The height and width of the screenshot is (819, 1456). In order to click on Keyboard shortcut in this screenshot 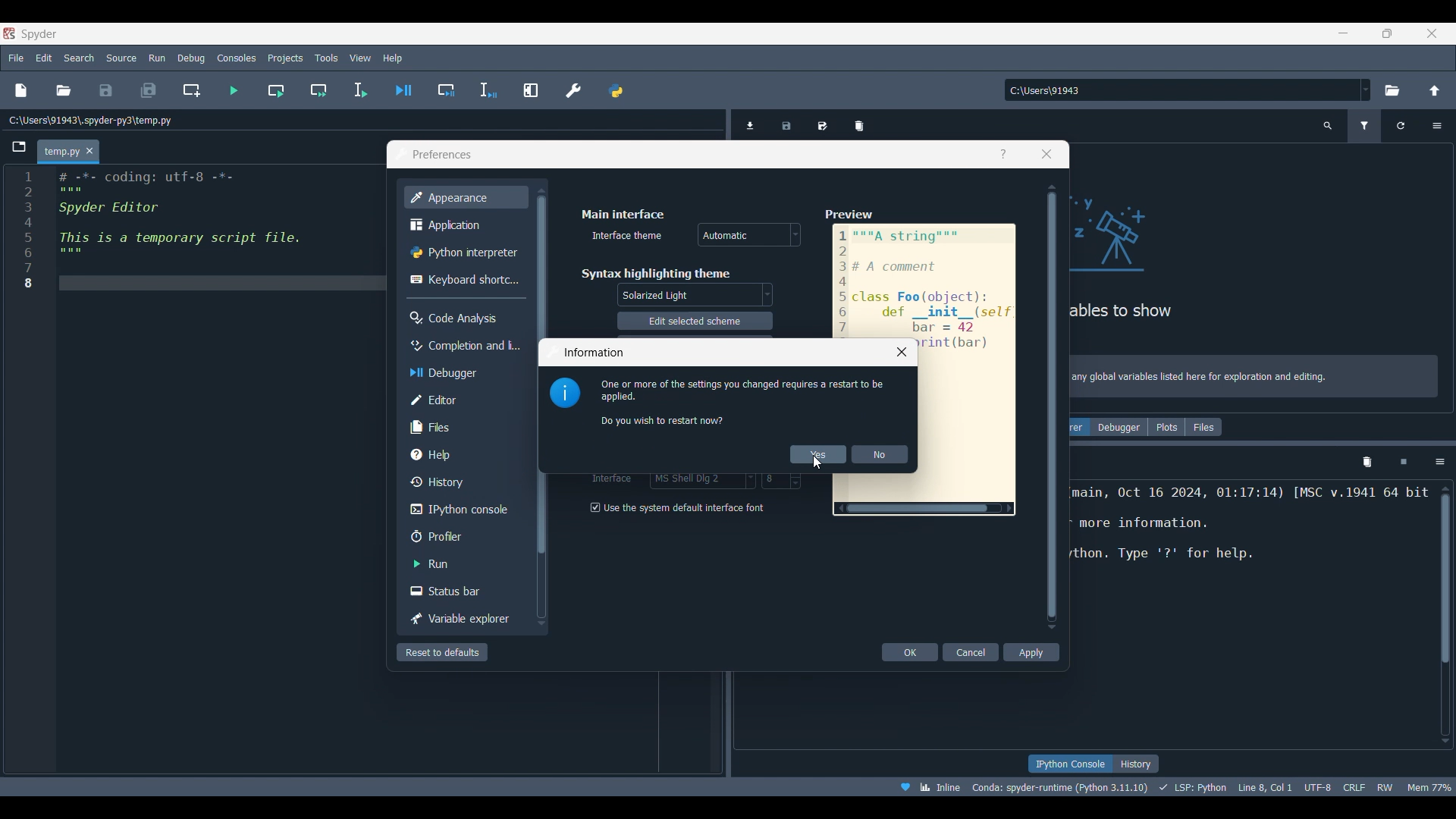, I will do `click(464, 280)`.